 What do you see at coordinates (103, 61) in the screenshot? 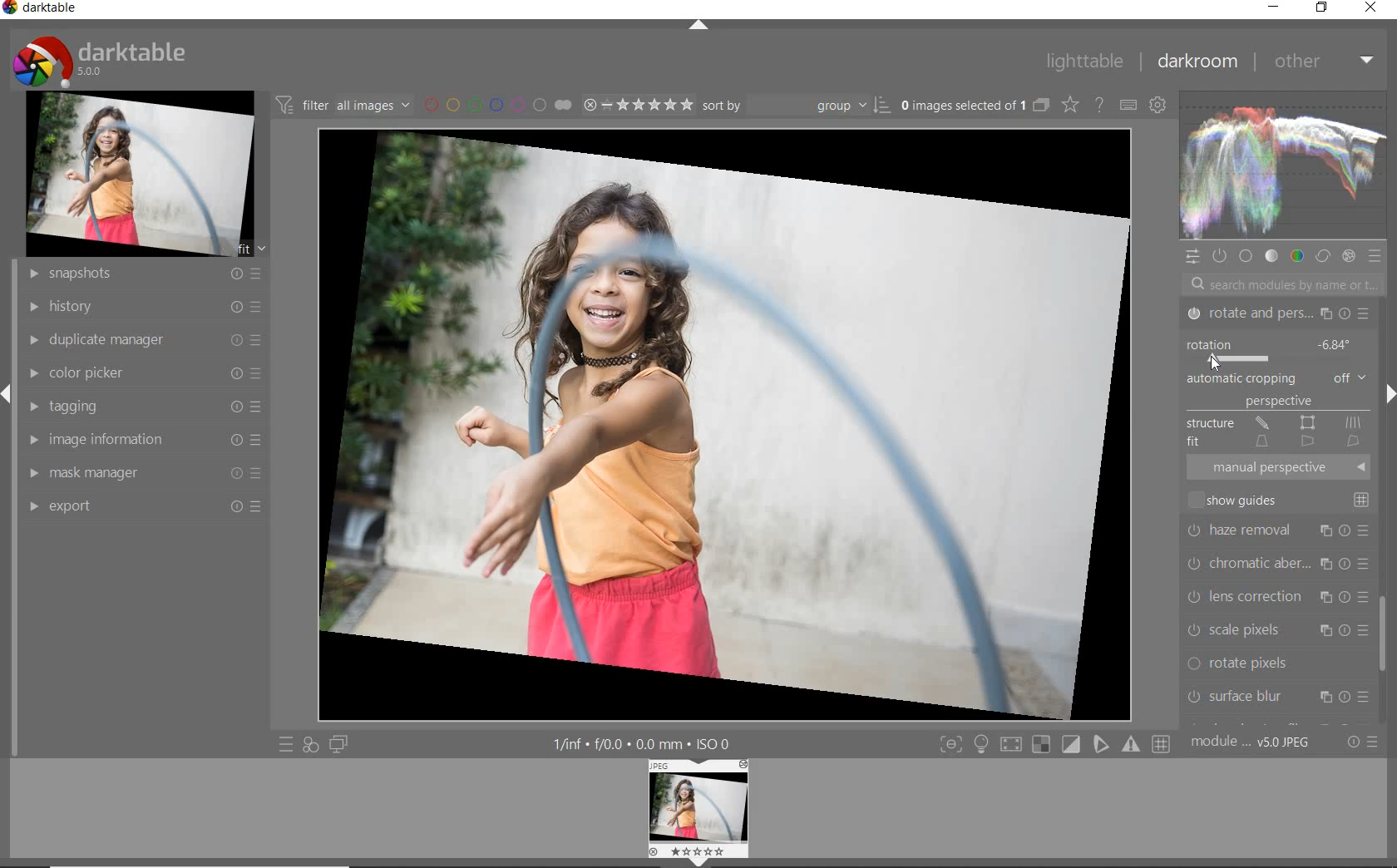
I see `system logo & name` at bounding box center [103, 61].